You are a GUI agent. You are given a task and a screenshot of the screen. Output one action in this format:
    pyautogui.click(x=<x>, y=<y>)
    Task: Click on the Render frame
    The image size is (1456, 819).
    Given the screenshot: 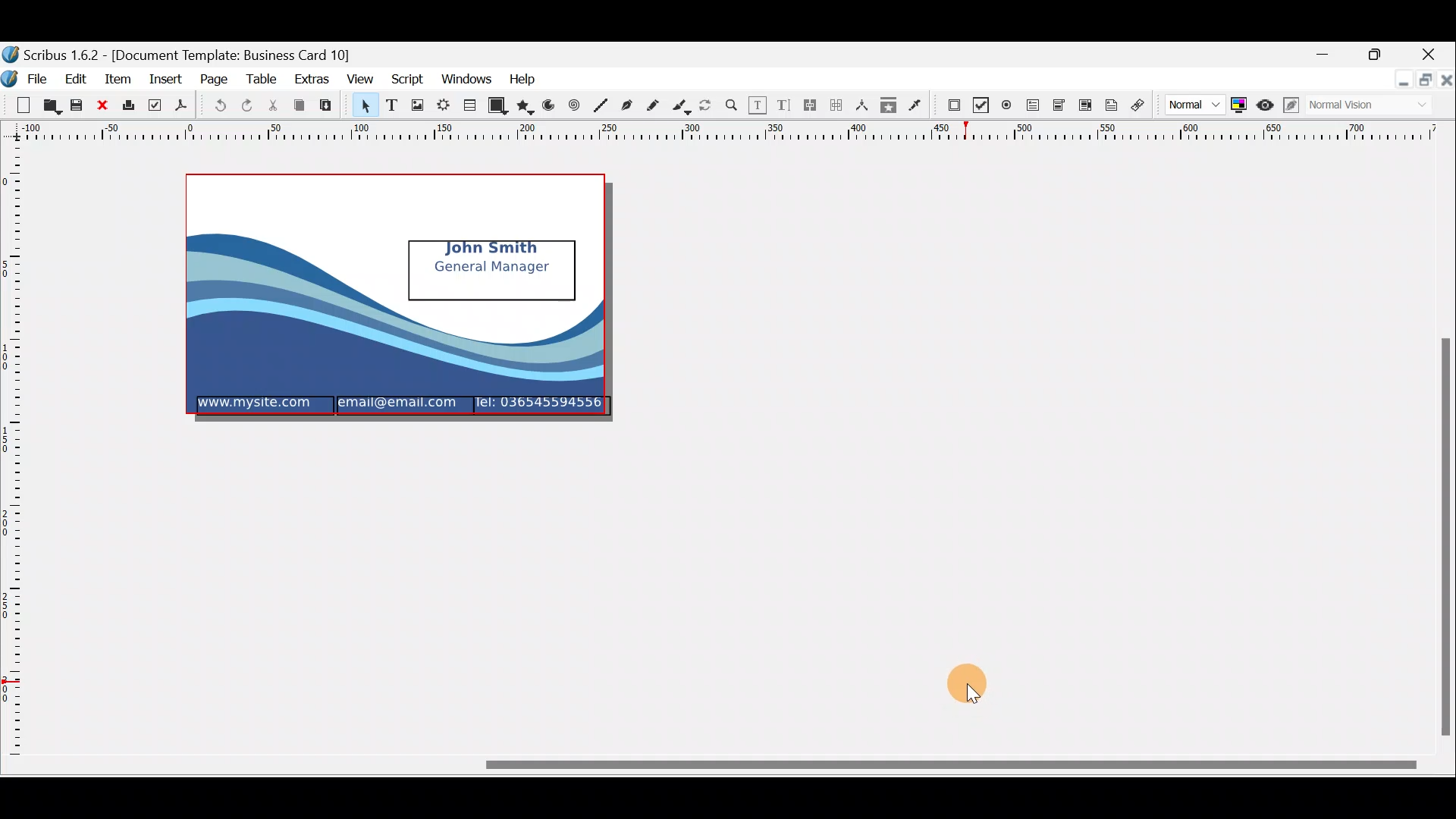 What is the action you would take?
    pyautogui.click(x=443, y=108)
    